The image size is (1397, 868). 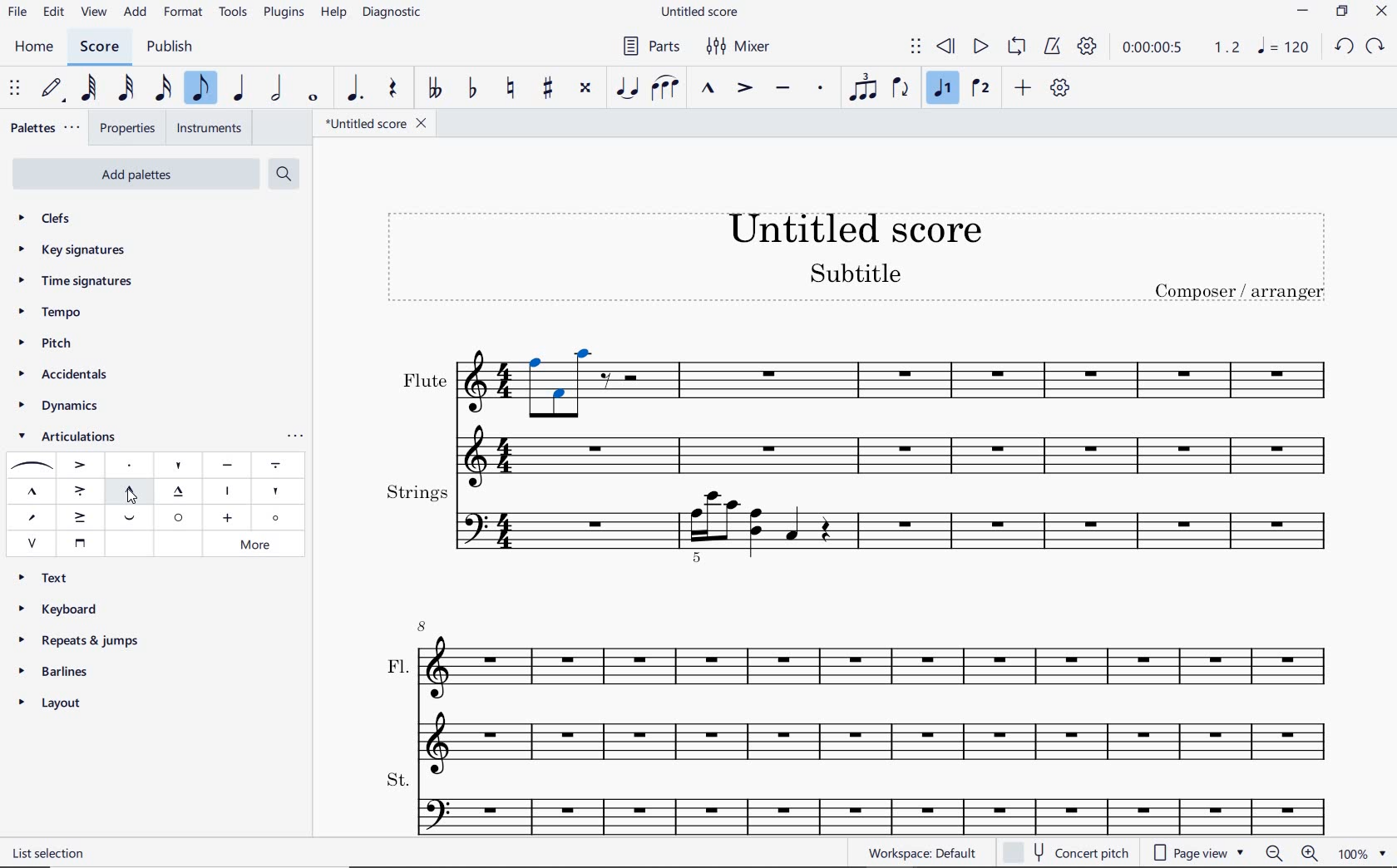 I want to click on palettes, so click(x=47, y=126).